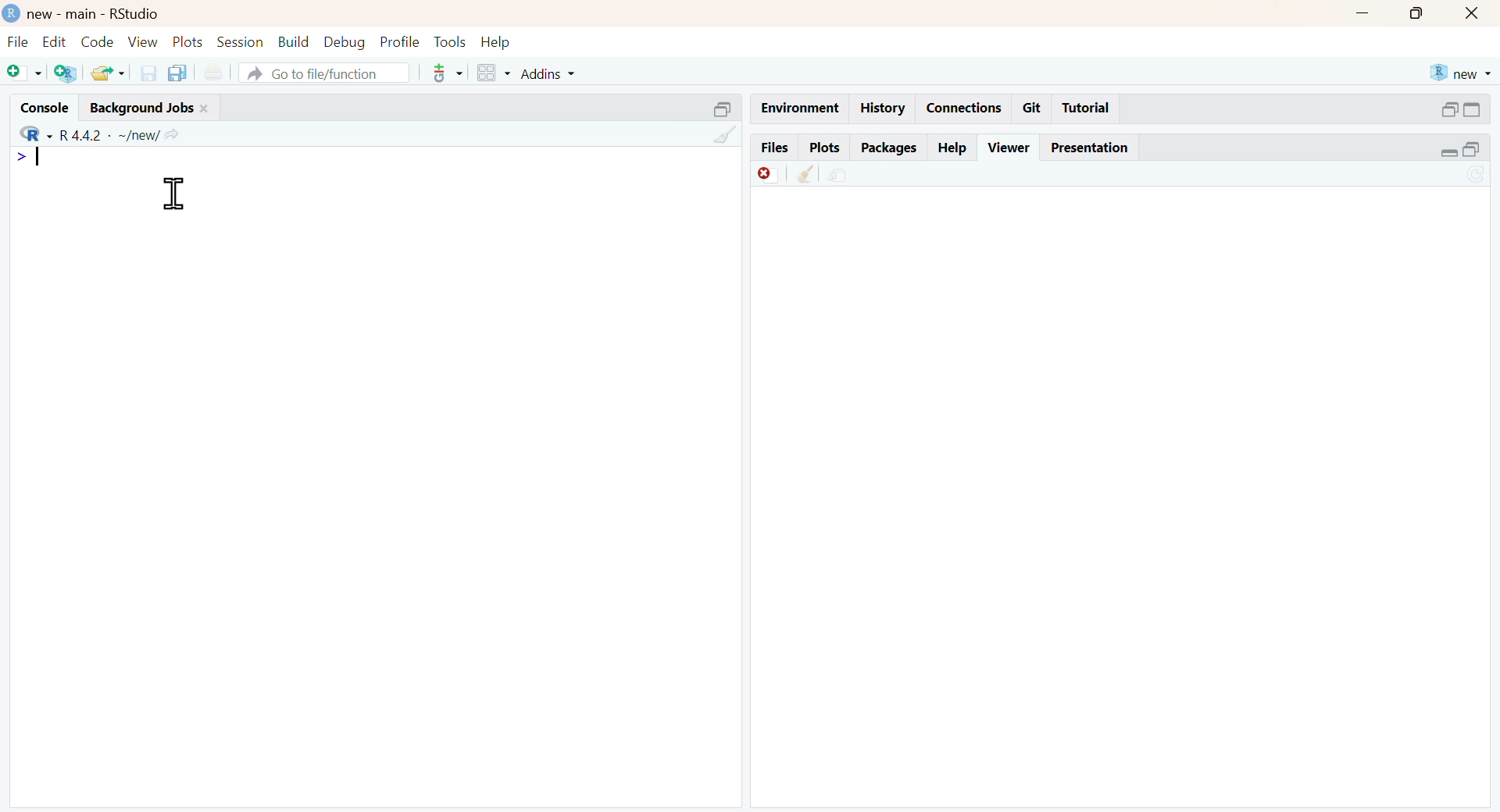 The height and width of the screenshot is (812, 1500). What do you see at coordinates (18, 41) in the screenshot?
I see `file` at bounding box center [18, 41].